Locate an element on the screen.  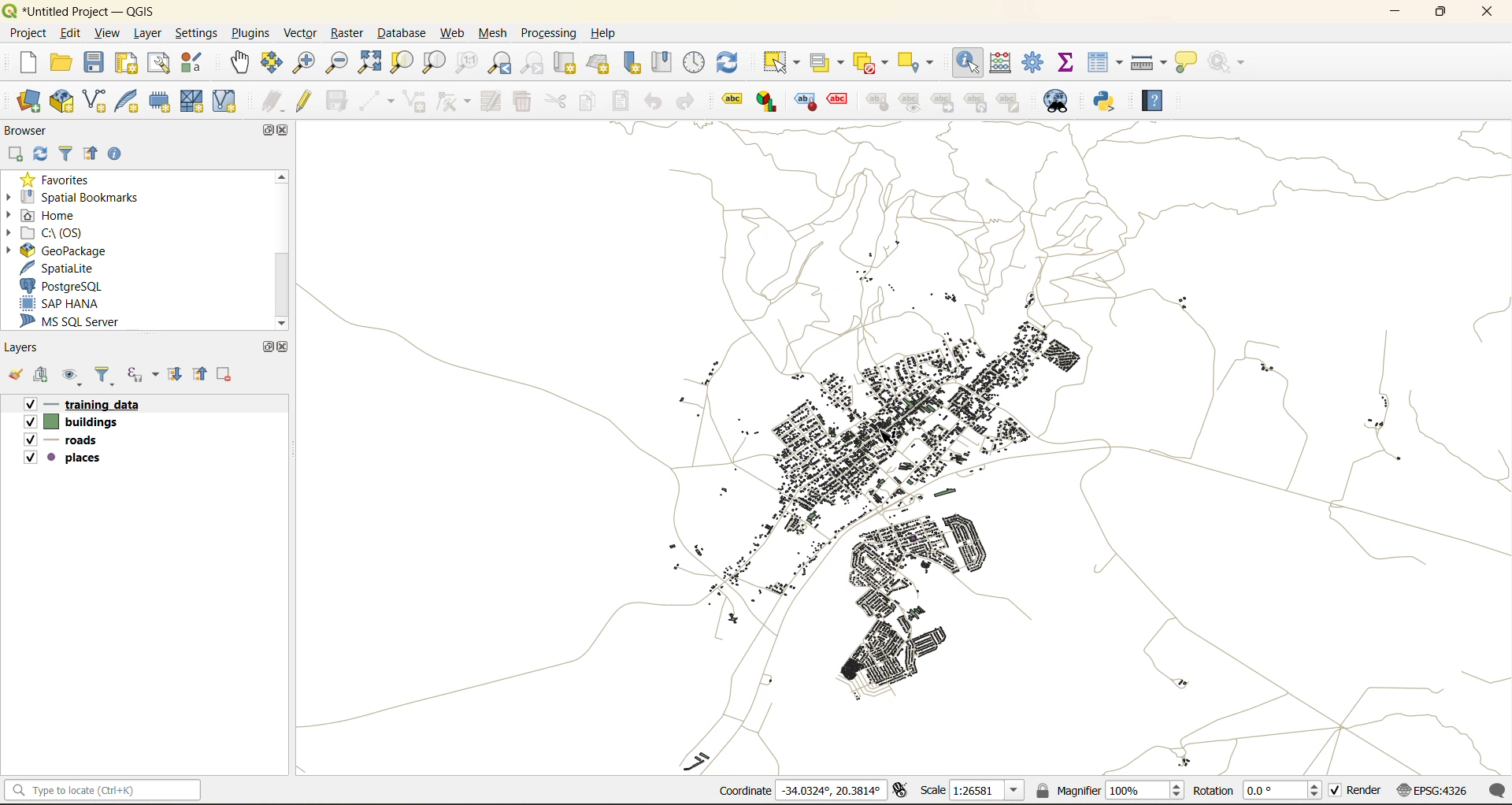
close is located at coordinates (286, 132).